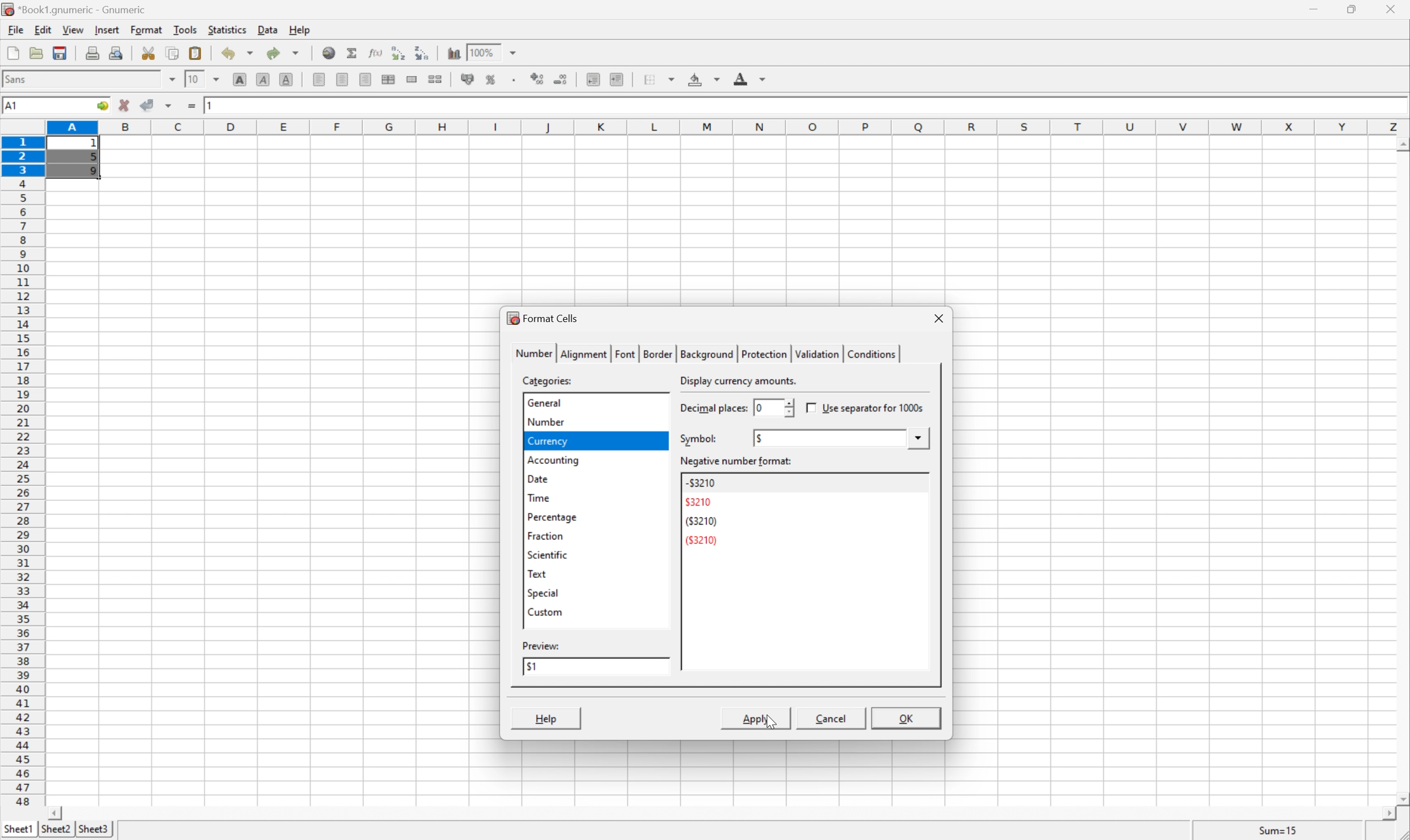 The height and width of the screenshot is (840, 1410). What do you see at coordinates (102, 106) in the screenshot?
I see `go to` at bounding box center [102, 106].